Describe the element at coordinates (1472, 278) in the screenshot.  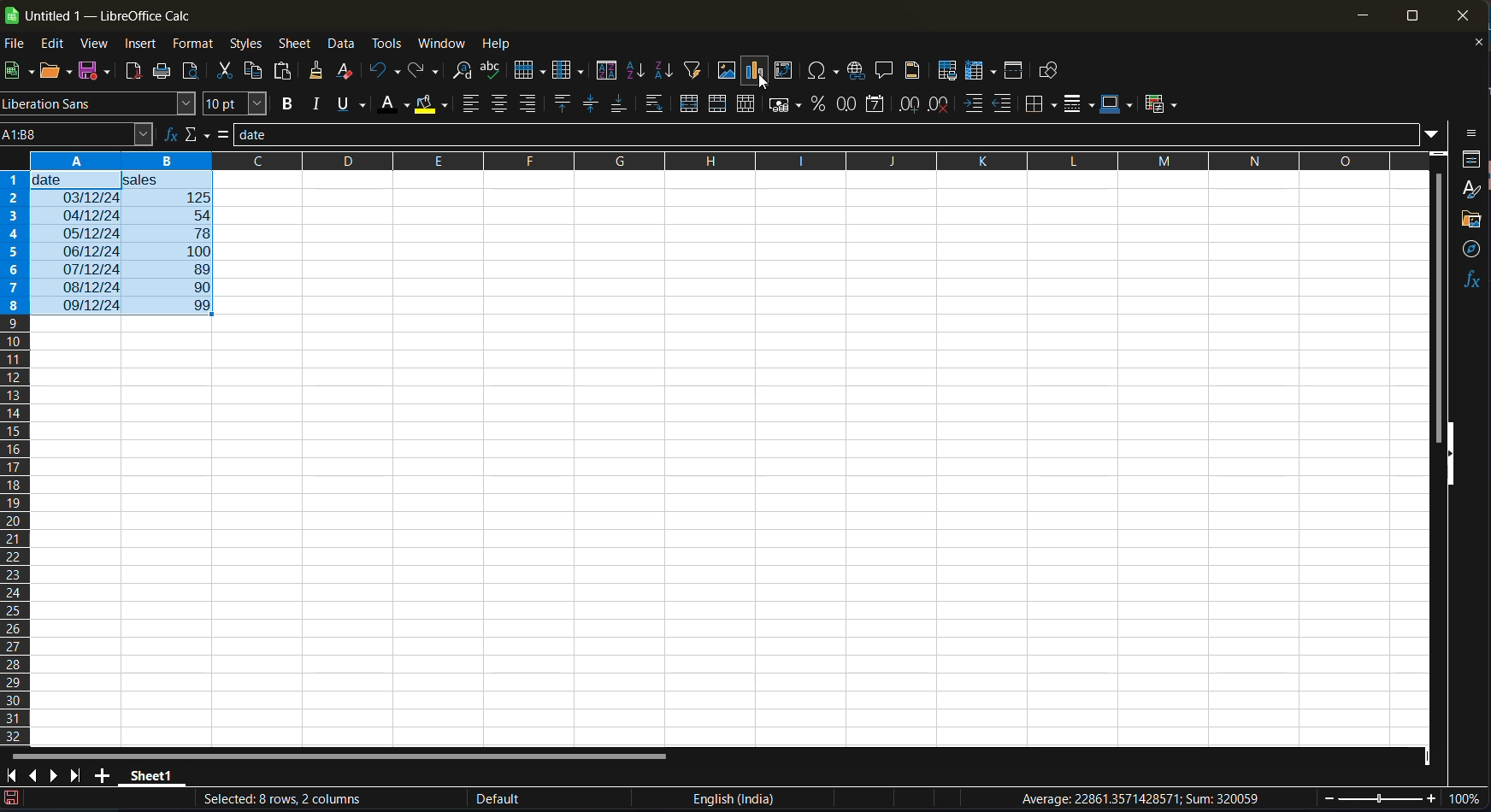
I see `functions` at that location.